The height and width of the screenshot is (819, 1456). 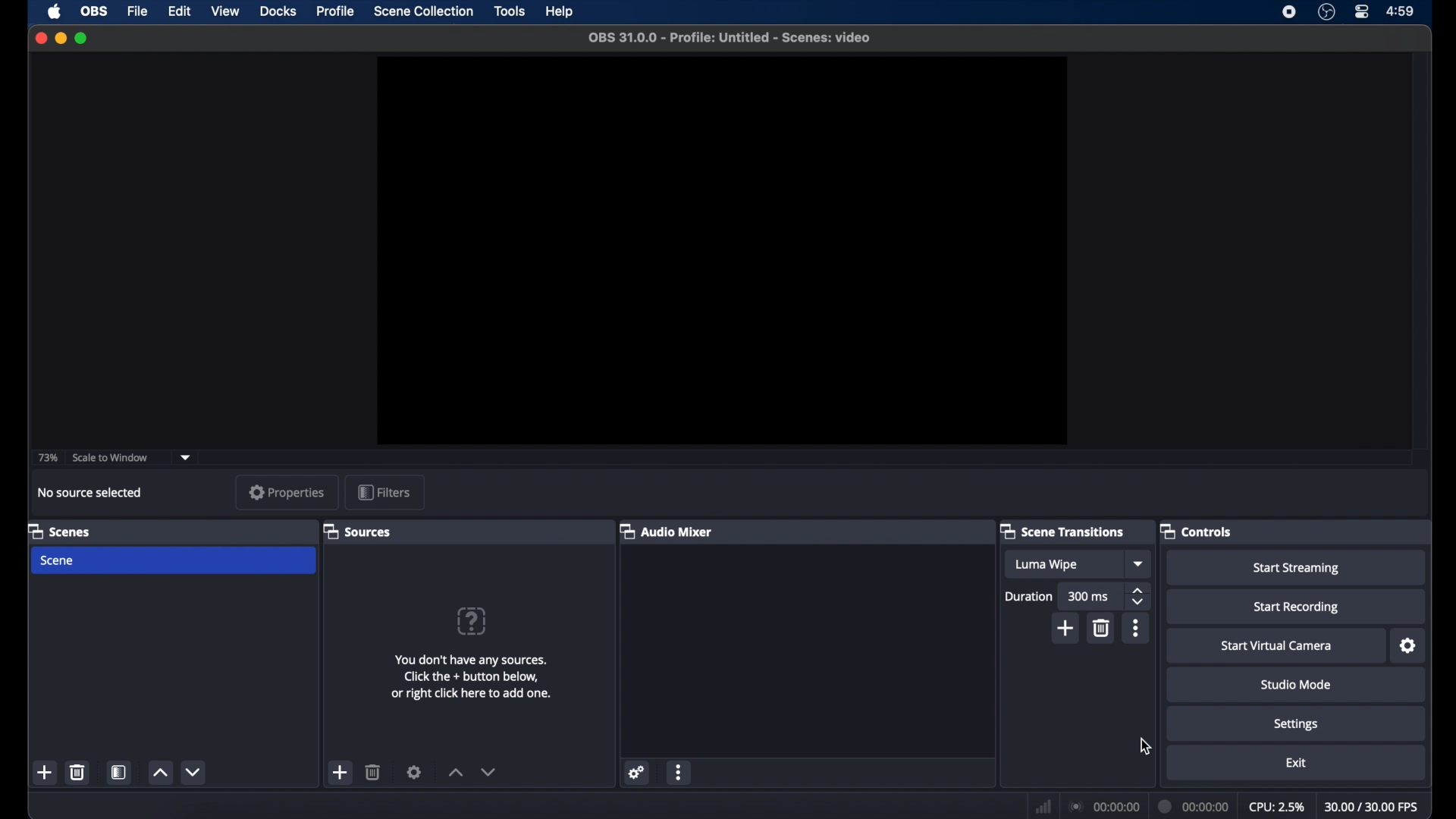 What do you see at coordinates (186, 457) in the screenshot?
I see `dropdown` at bounding box center [186, 457].